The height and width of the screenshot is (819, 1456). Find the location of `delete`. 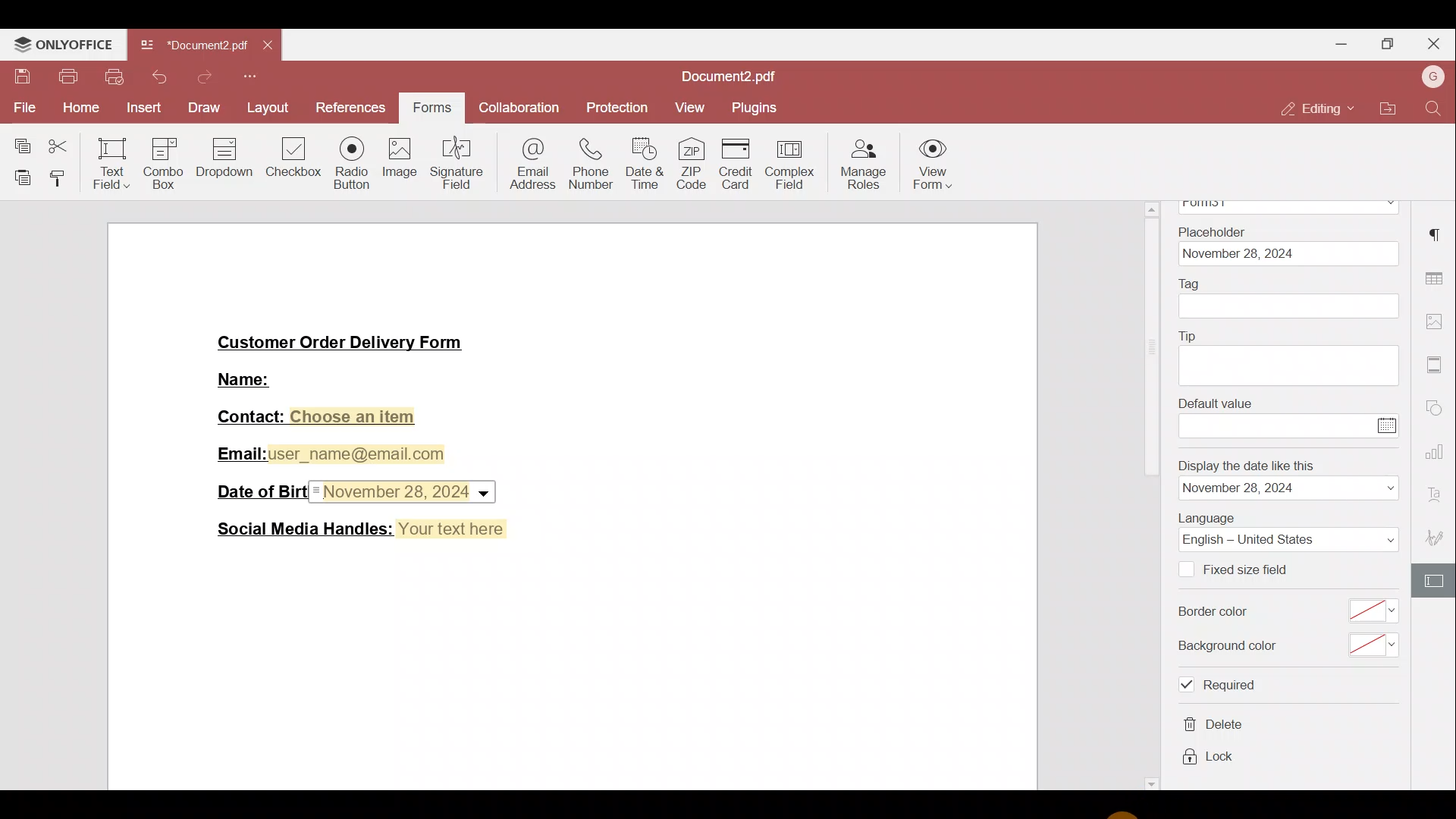

delete is located at coordinates (1216, 725).